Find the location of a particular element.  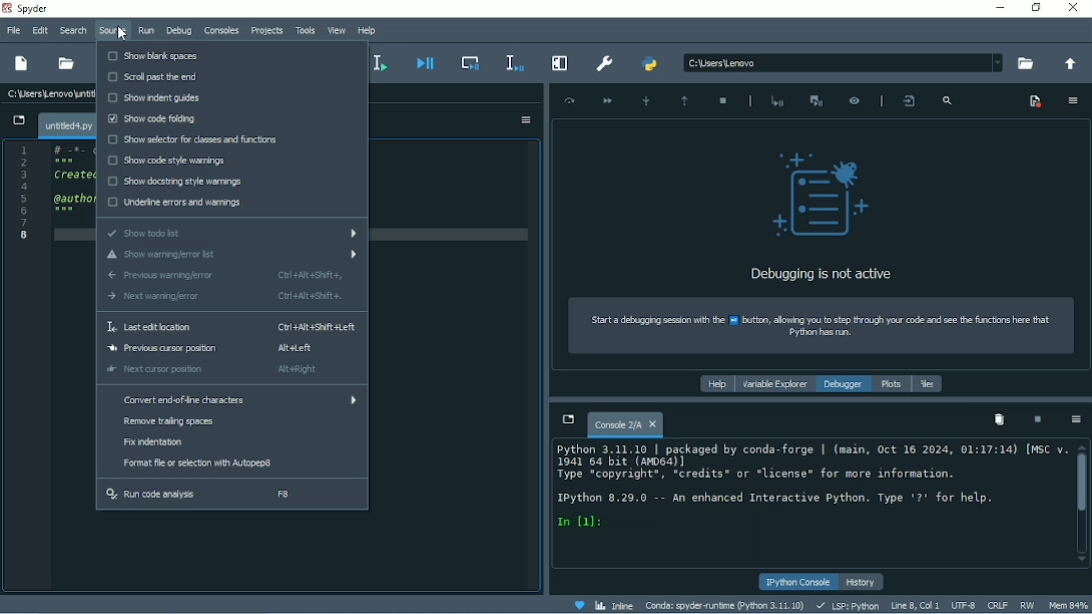

Last edit location is located at coordinates (230, 326).